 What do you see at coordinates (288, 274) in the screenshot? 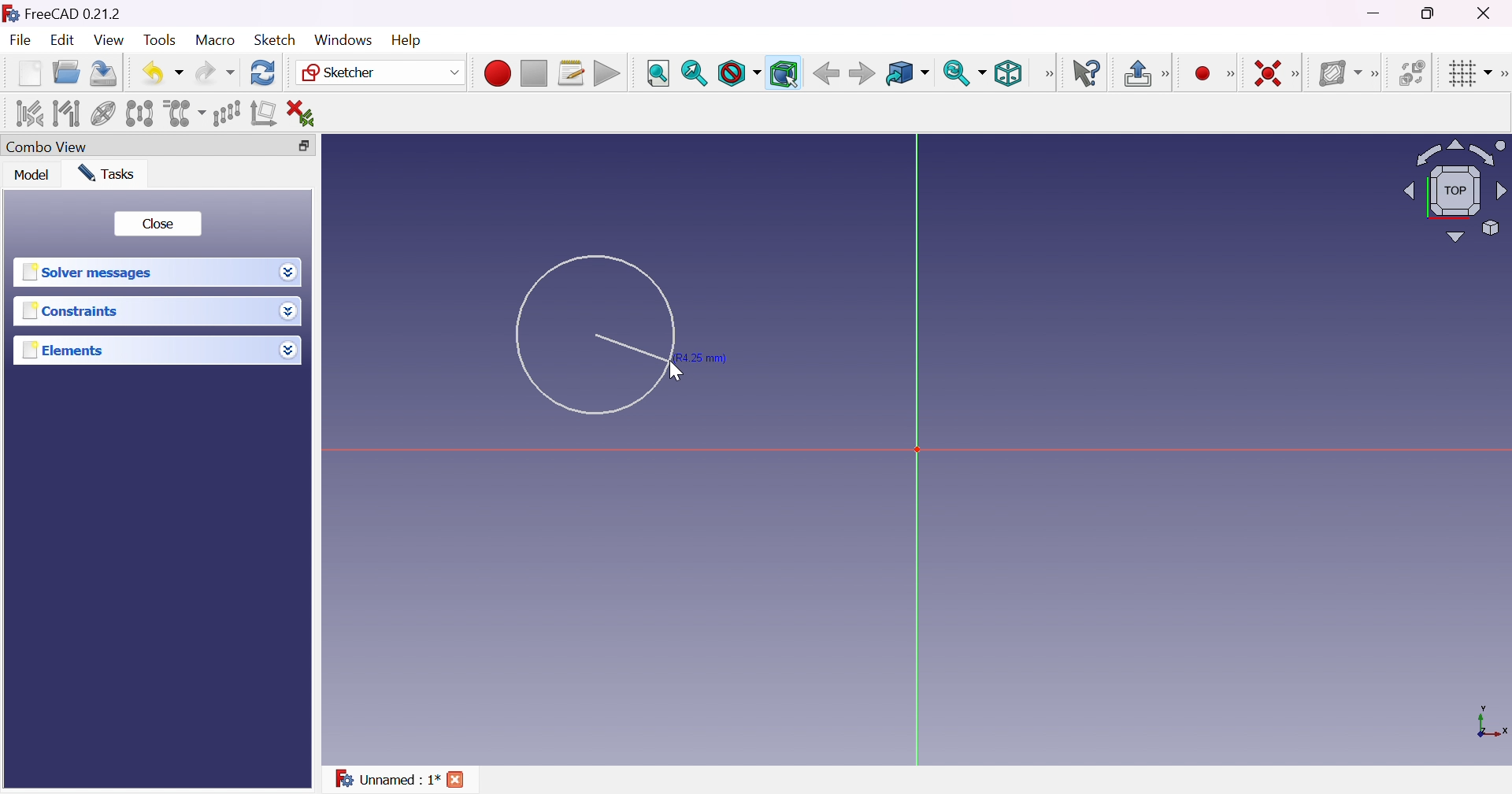
I see `Drop down` at bounding box center [288, 274].